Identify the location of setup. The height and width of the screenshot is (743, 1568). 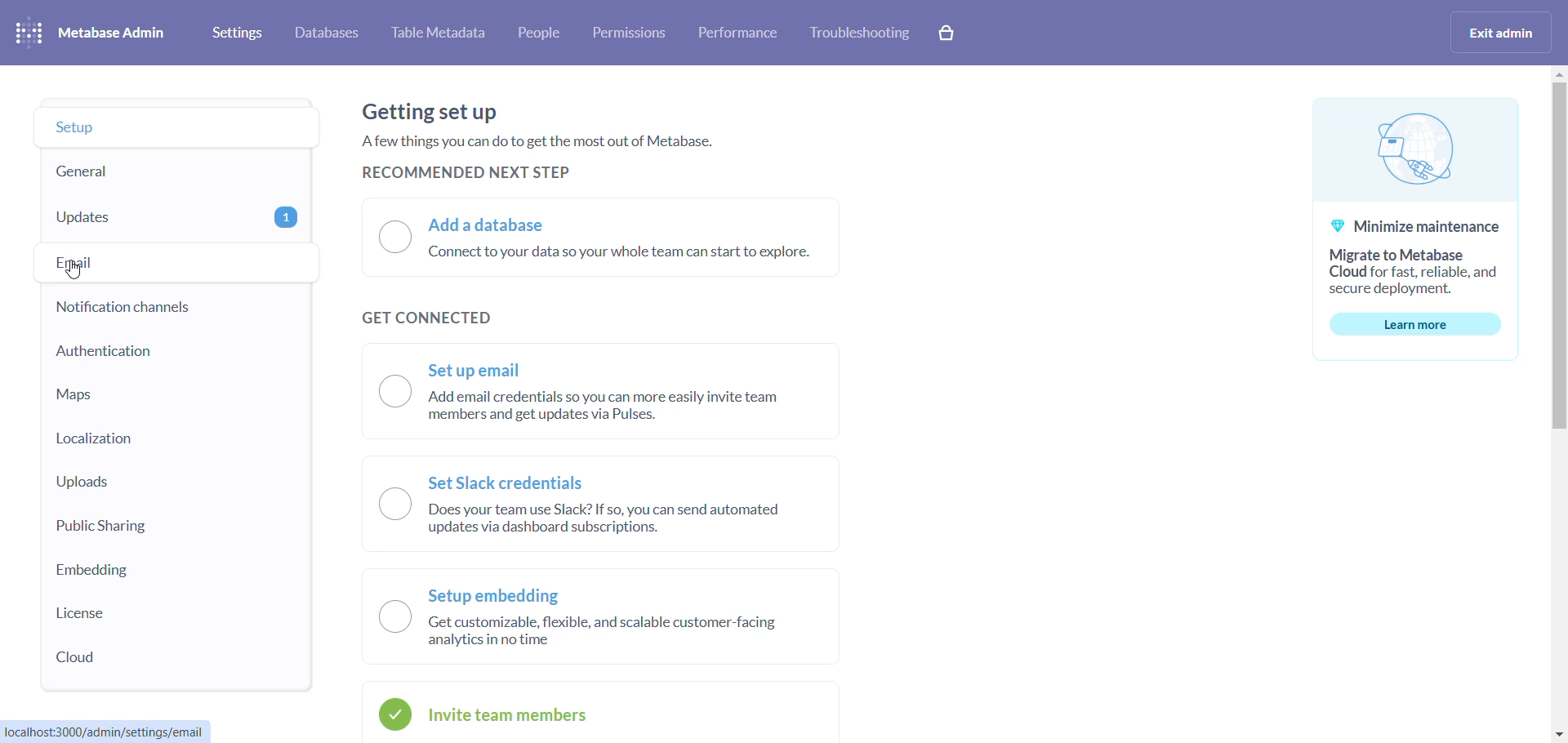
(163, 127).